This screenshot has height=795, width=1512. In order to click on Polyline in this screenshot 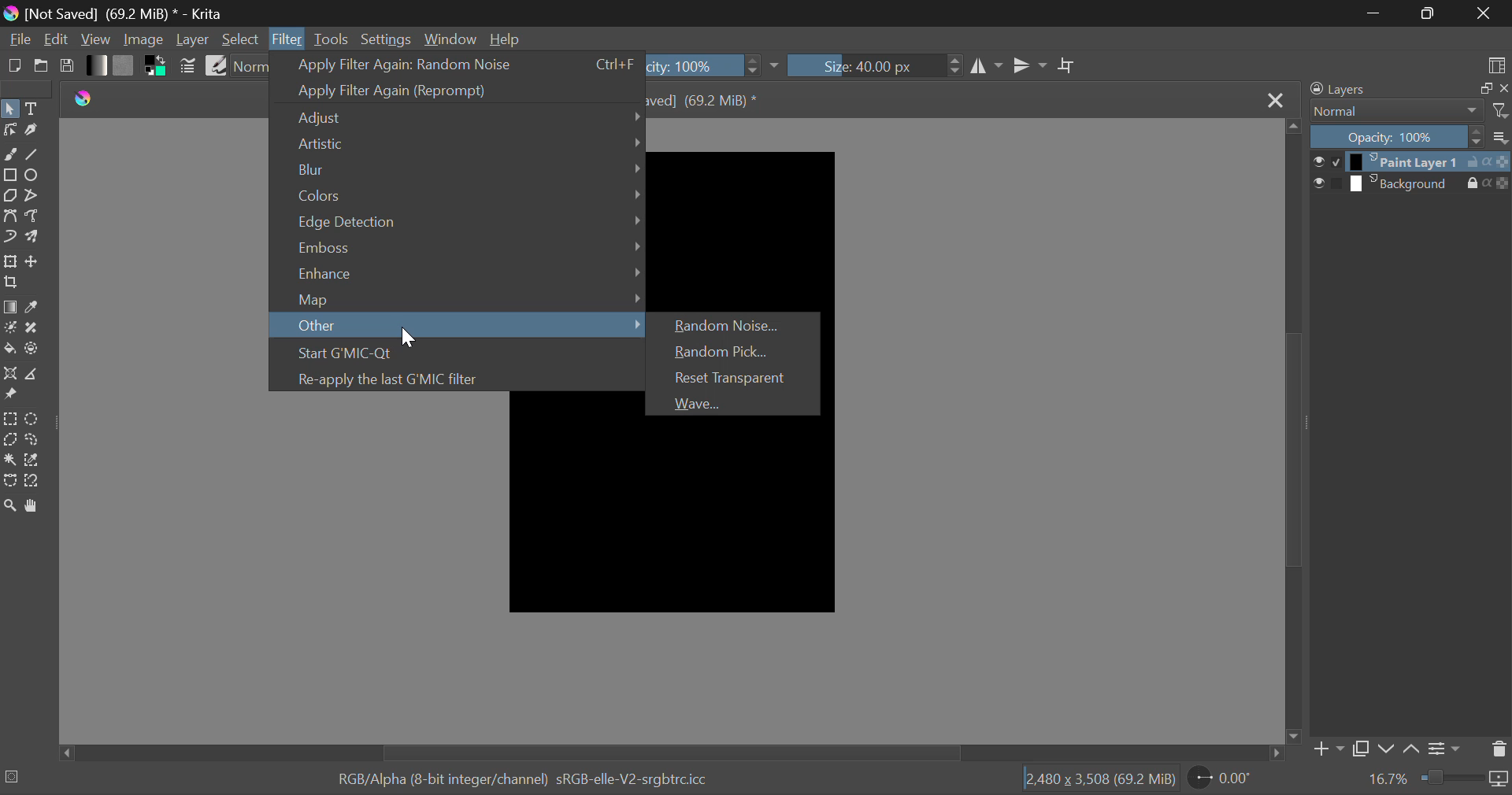, I will do `click(34, 195)`.